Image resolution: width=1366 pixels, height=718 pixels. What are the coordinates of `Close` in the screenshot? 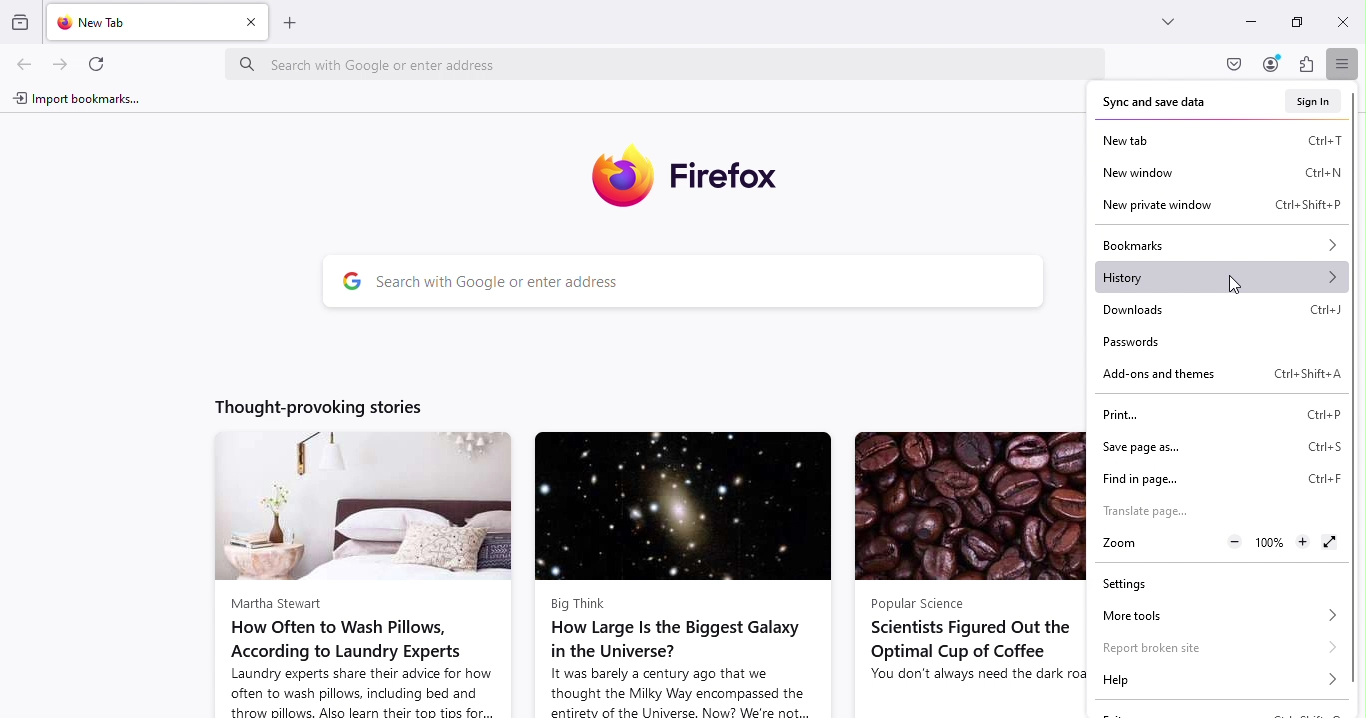 It's located at (1345, 18).